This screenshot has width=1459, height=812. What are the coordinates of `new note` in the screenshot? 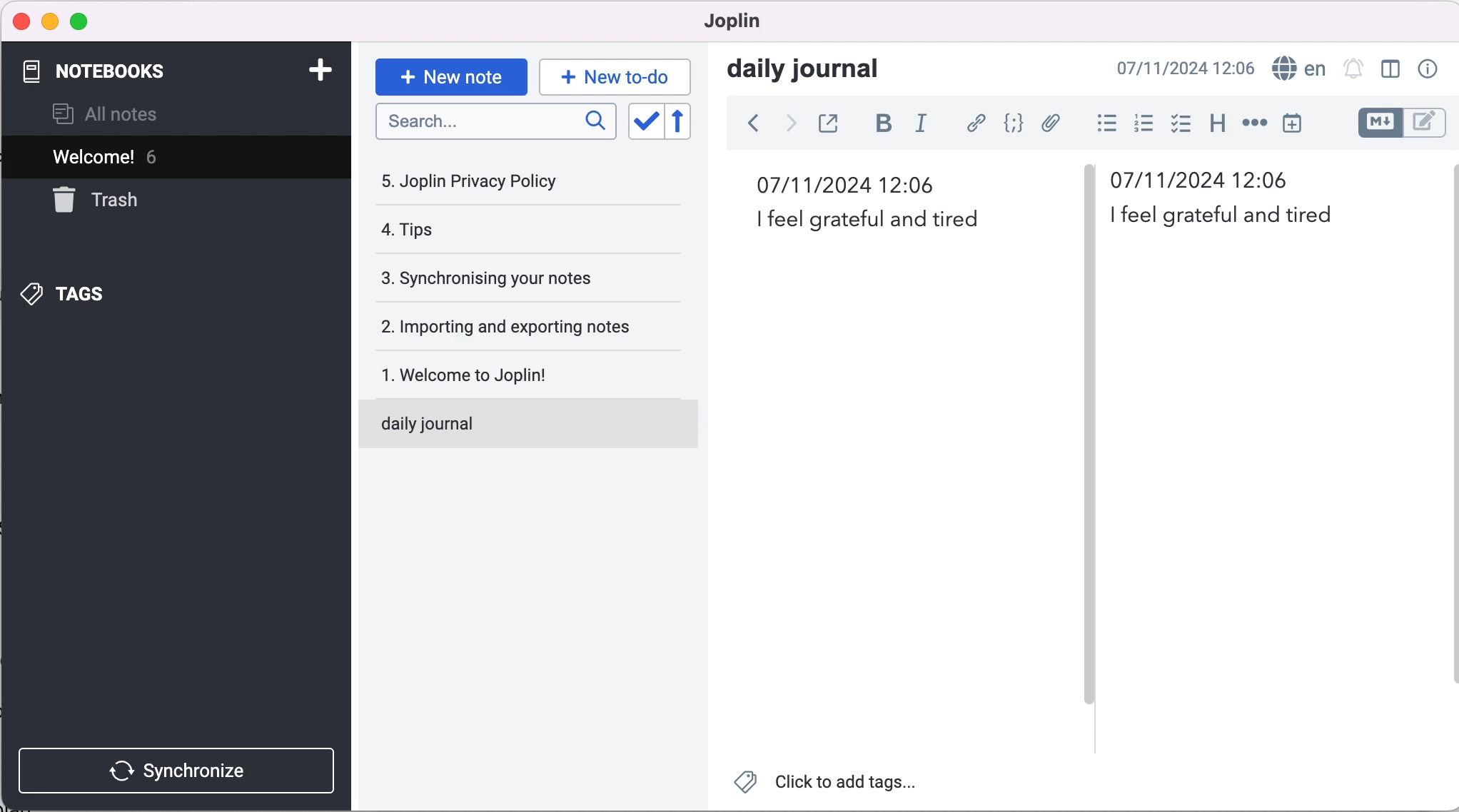 It's located at (450, 71).